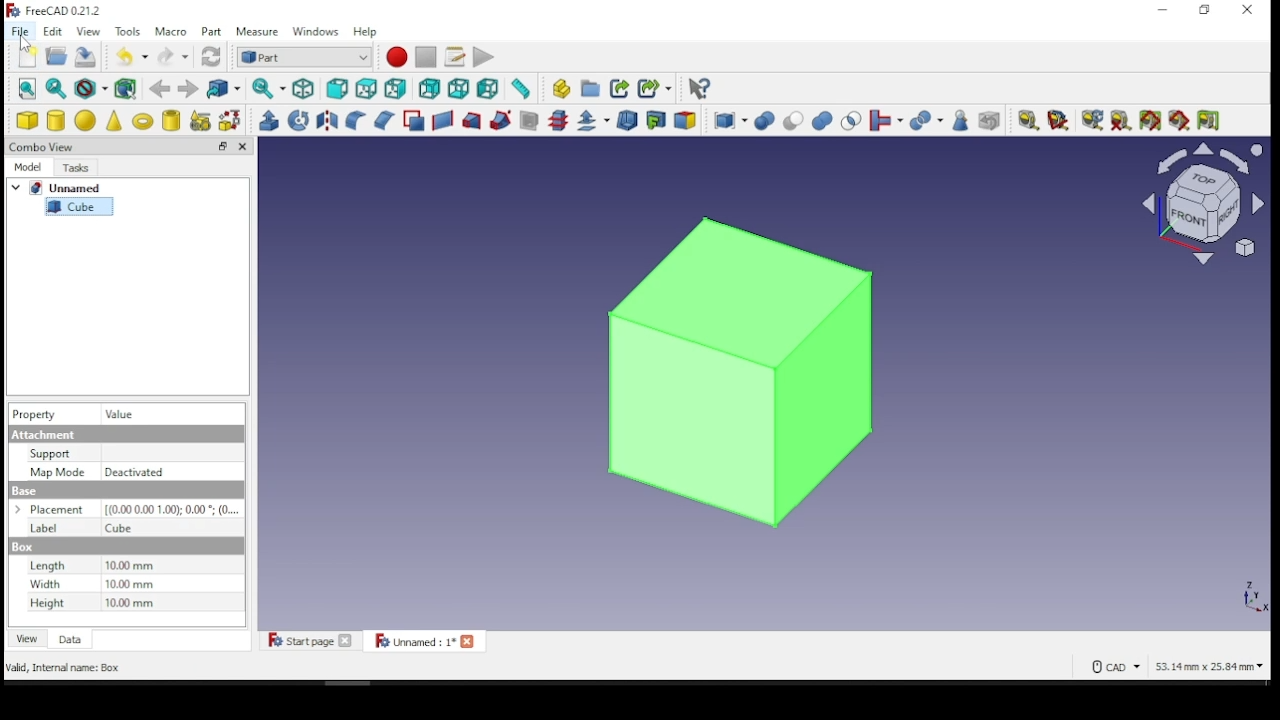  What do you see at coordinates (472, 122) in the screenshot?
I see `loft` at bounding box center [472, 122].